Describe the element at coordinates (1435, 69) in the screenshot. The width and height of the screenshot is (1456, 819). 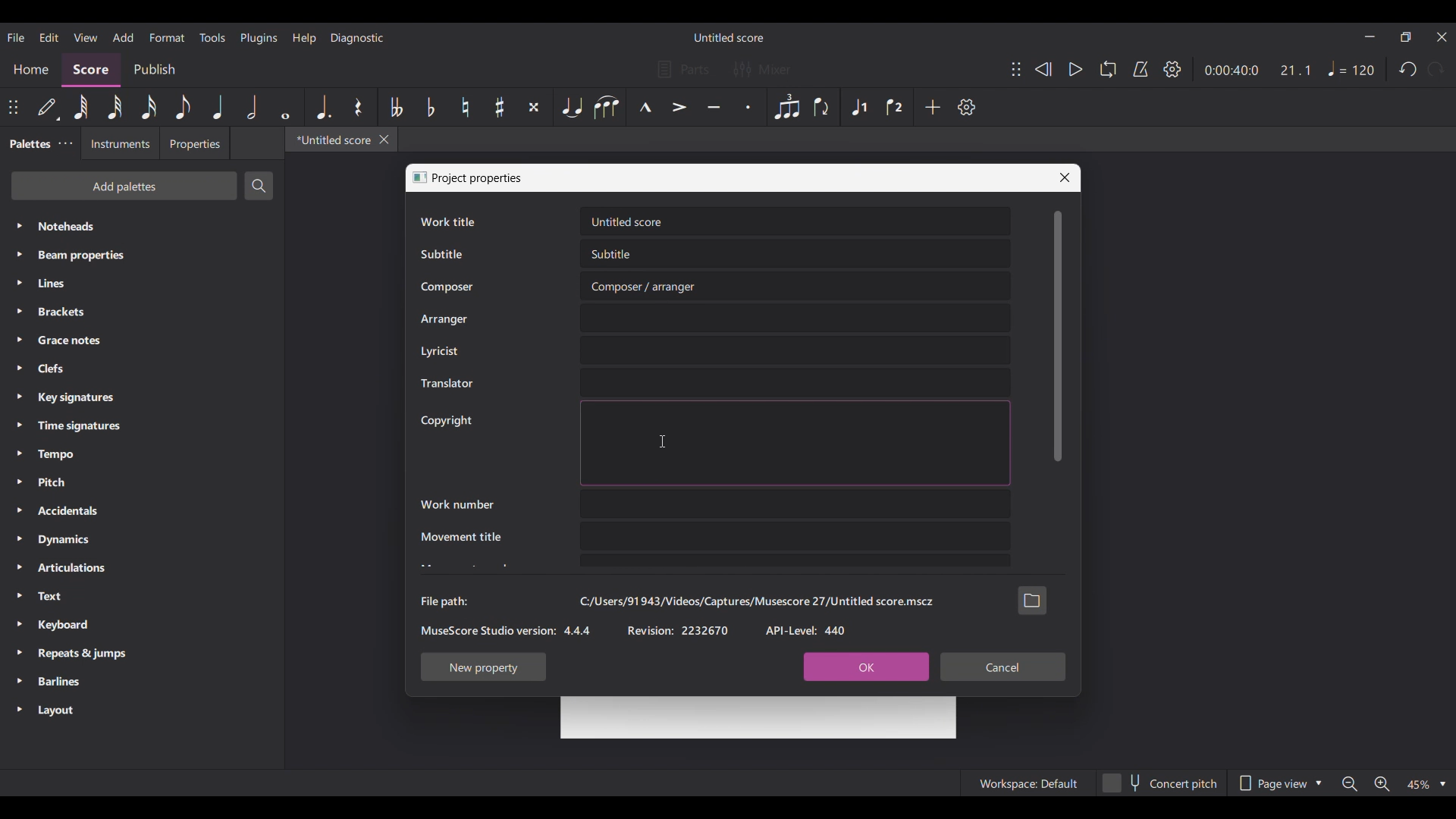
I see `Redo` at that location.